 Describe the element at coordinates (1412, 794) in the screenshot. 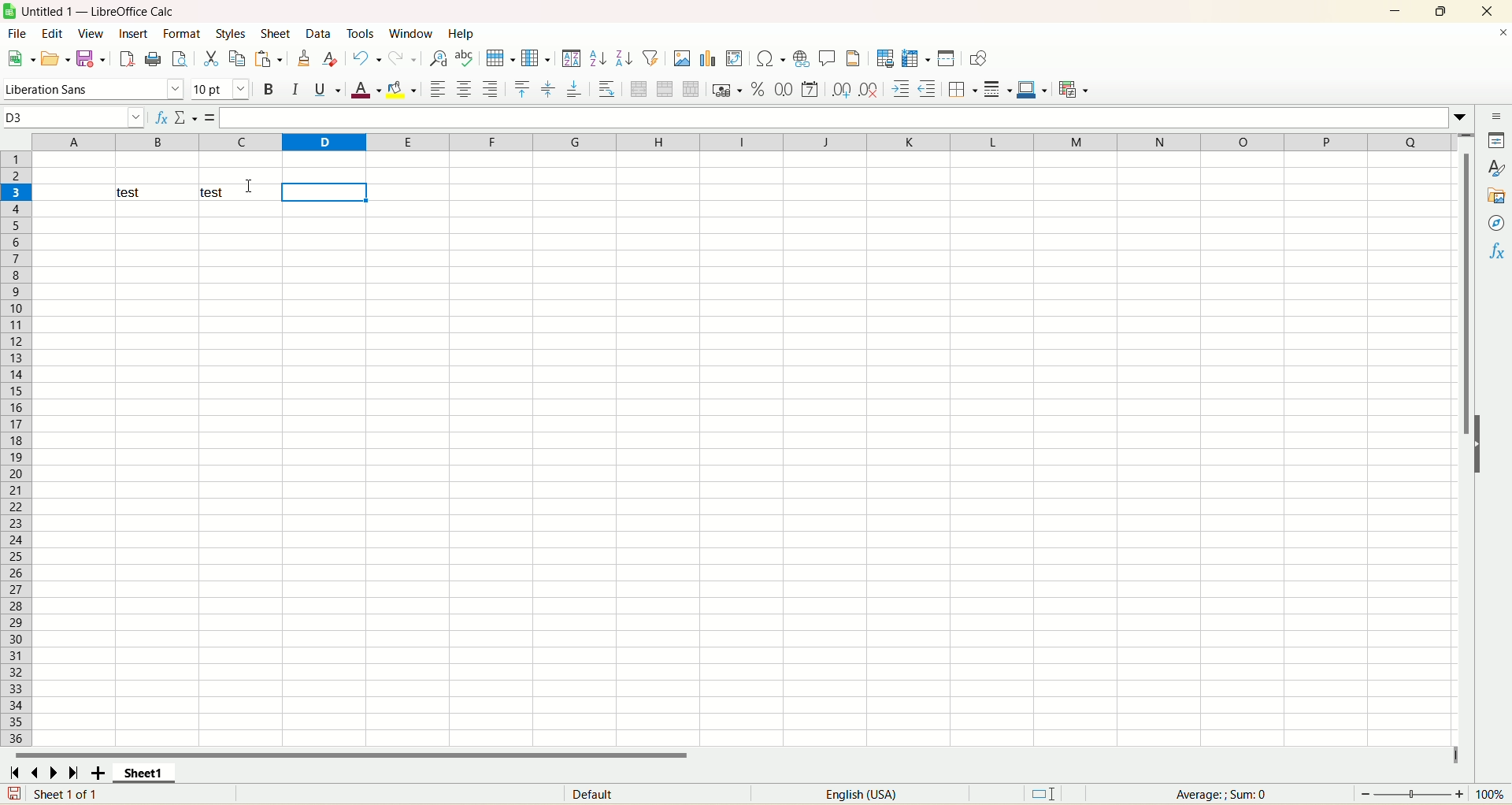

I see `zoom bar` at that location.